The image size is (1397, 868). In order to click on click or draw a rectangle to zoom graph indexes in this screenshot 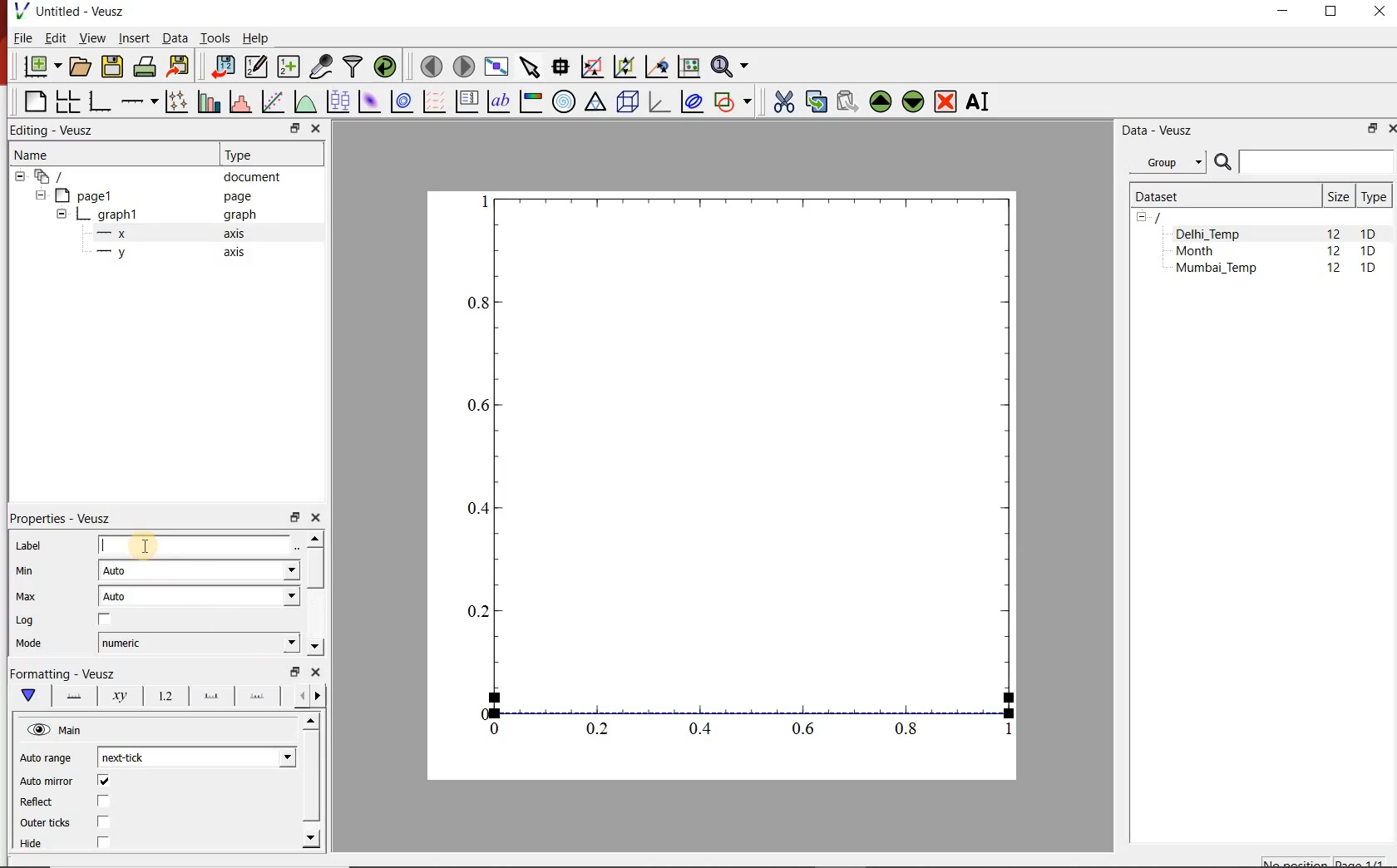, I will do `click(592, 67)`.